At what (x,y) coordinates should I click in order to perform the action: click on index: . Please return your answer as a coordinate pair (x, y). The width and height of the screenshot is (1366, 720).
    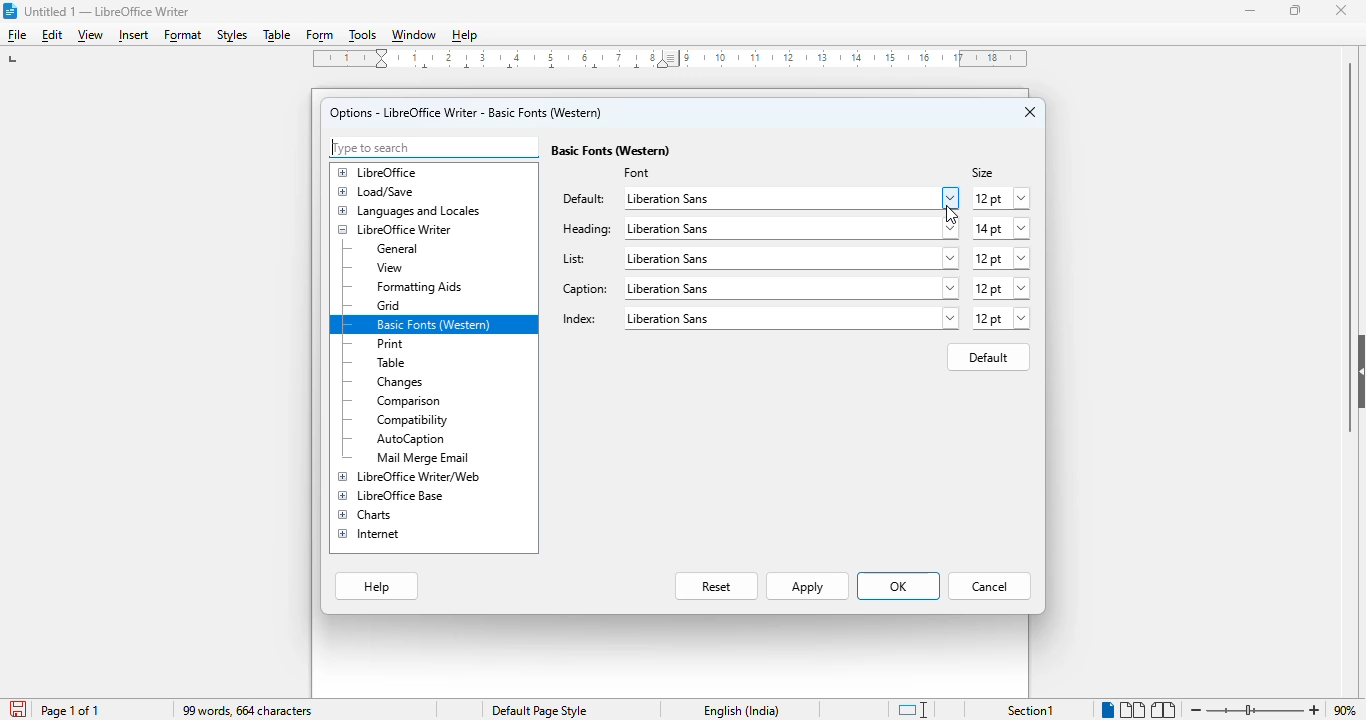
    Looking at the image, I should click on (577, 319).